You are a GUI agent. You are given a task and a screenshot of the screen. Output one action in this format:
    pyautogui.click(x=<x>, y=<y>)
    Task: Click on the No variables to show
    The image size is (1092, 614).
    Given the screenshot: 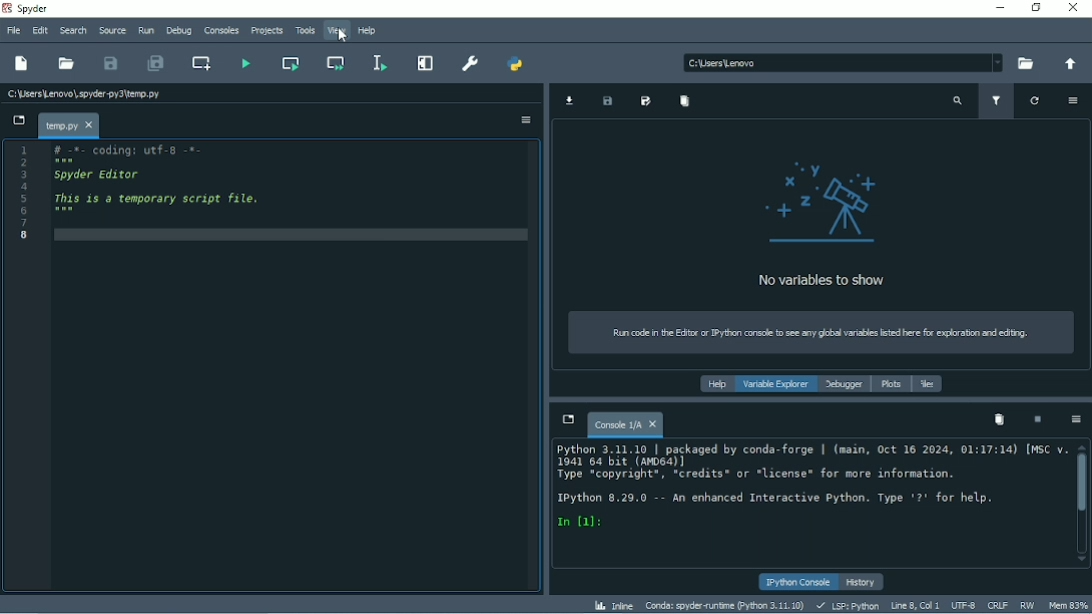 What is the action you would take?
    pyautogui.click(x=820, y=223)
    